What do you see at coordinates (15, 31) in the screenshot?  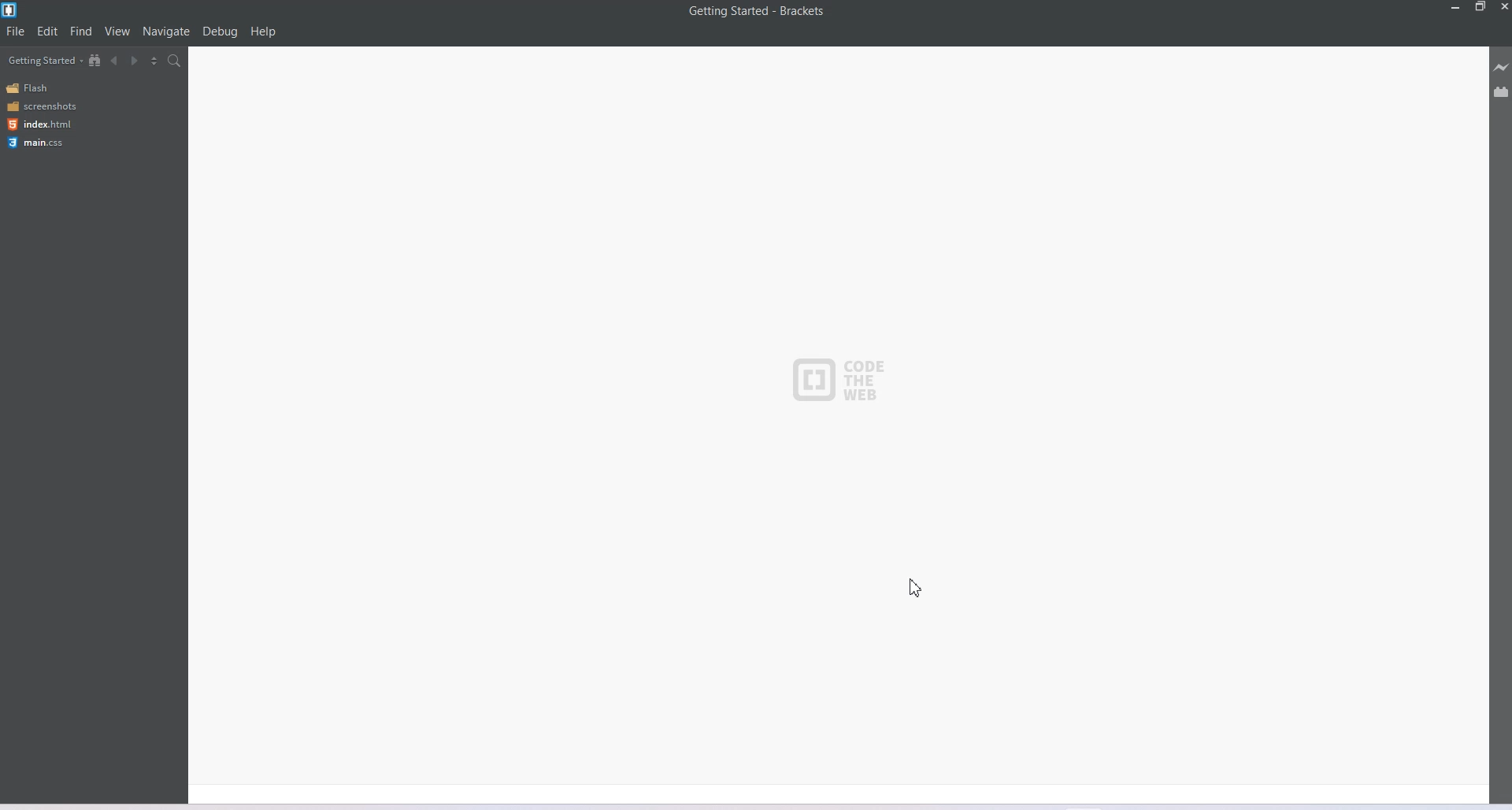 I see `File` at bounding box center [15, 31].